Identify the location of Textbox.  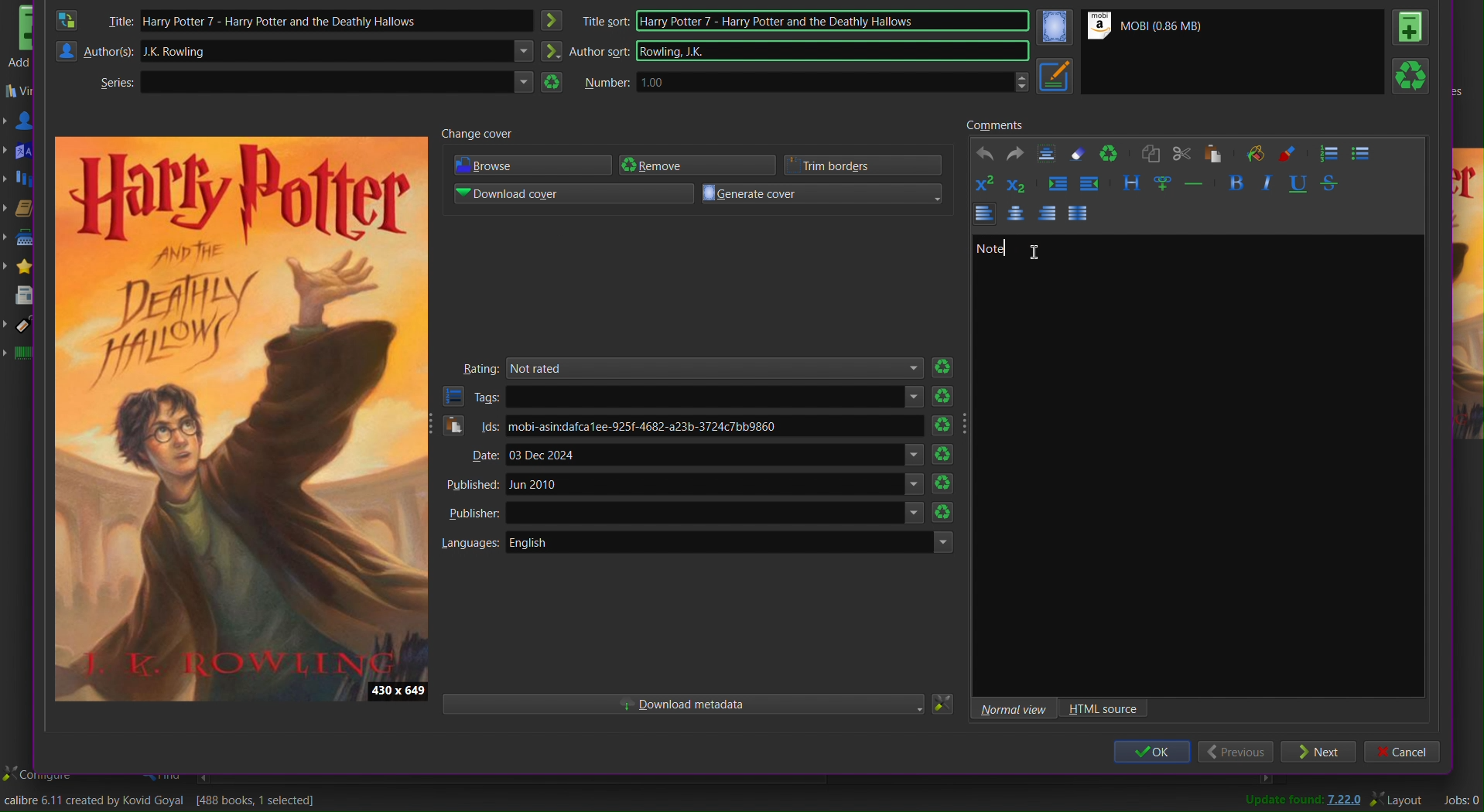
(1046, 152).